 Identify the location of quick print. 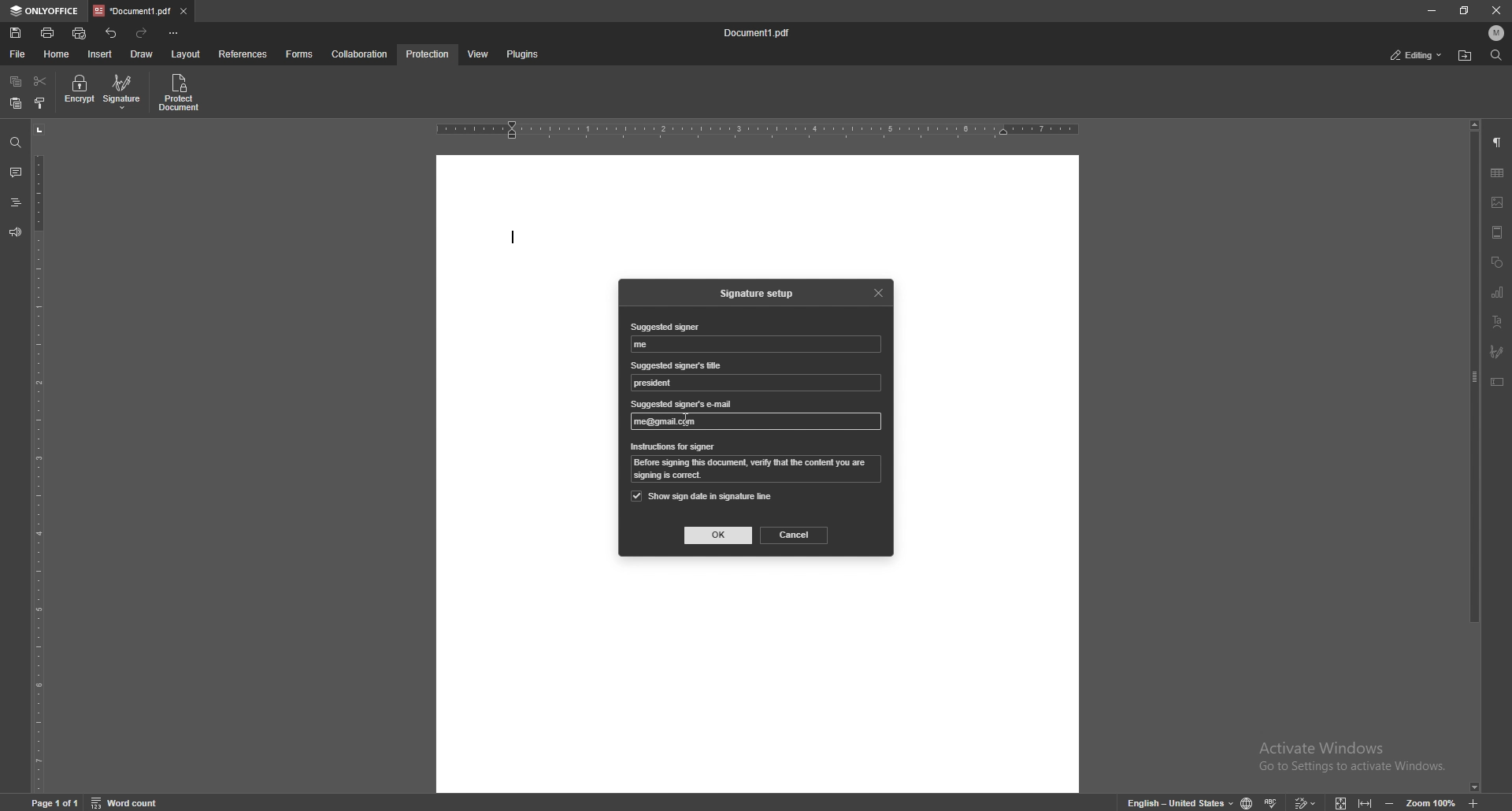
(80, 35).